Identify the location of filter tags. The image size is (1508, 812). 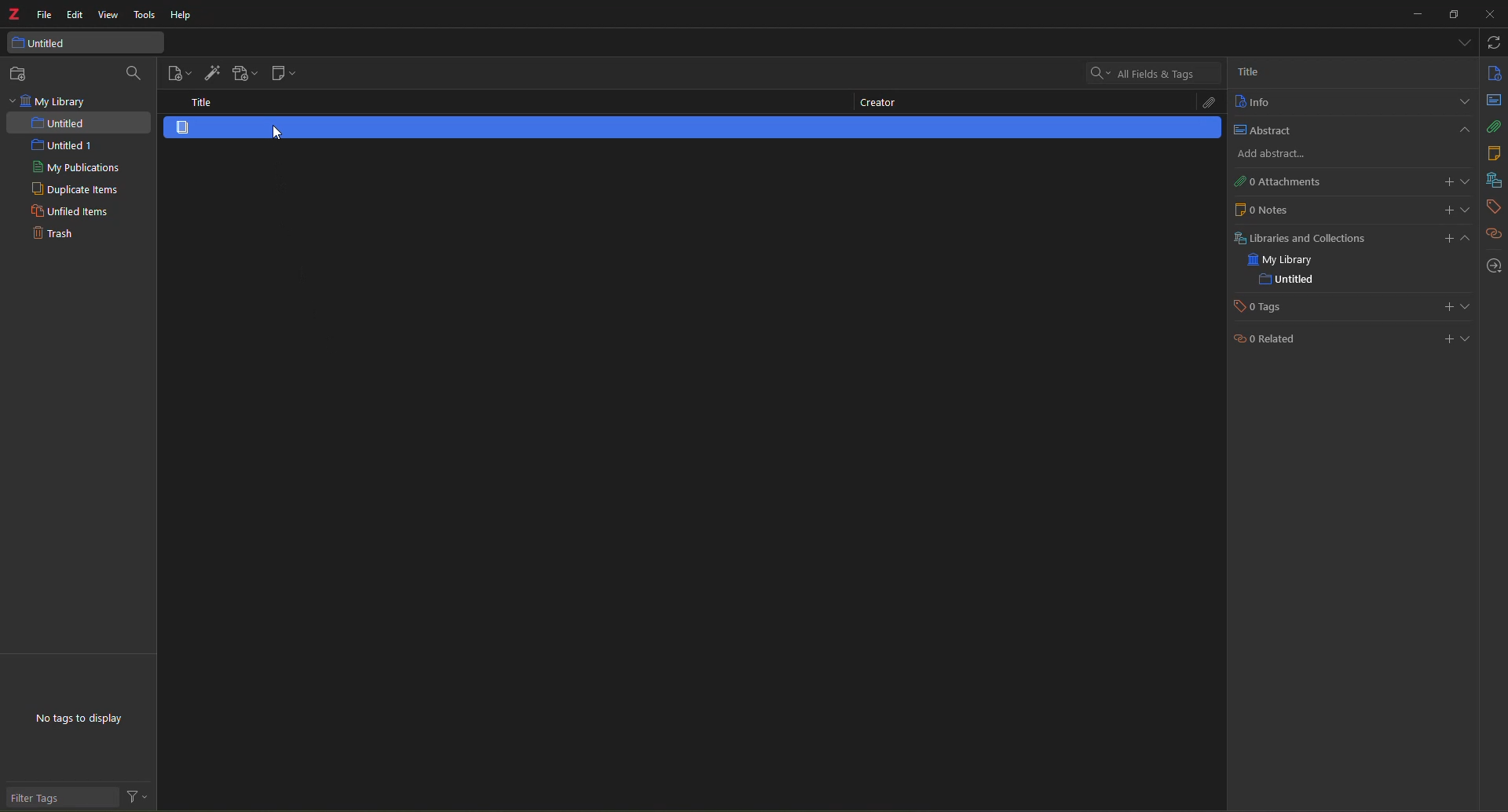
(48, 799).